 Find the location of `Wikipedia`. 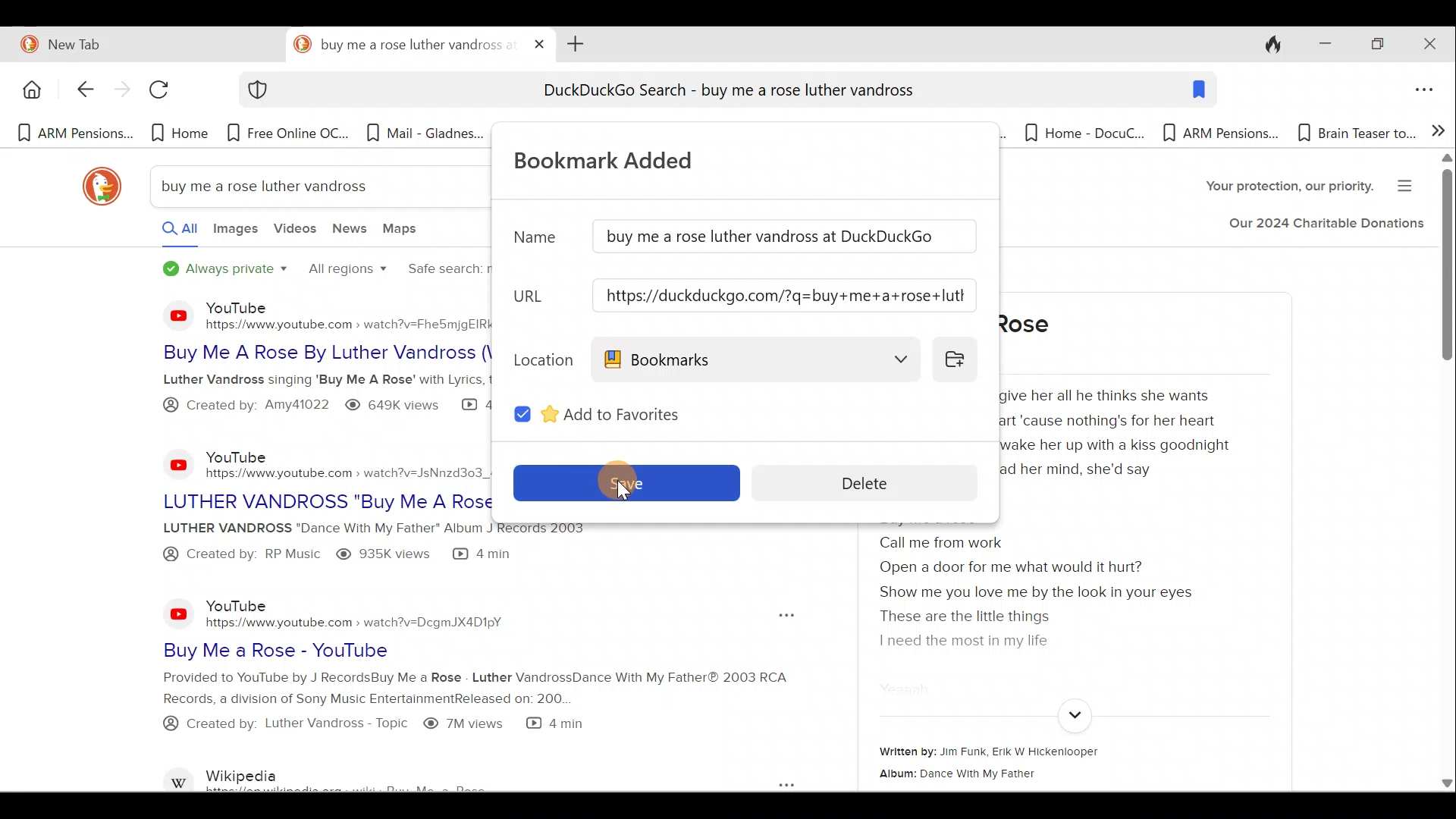

Wikipedia is located at coordinates (384, 777).